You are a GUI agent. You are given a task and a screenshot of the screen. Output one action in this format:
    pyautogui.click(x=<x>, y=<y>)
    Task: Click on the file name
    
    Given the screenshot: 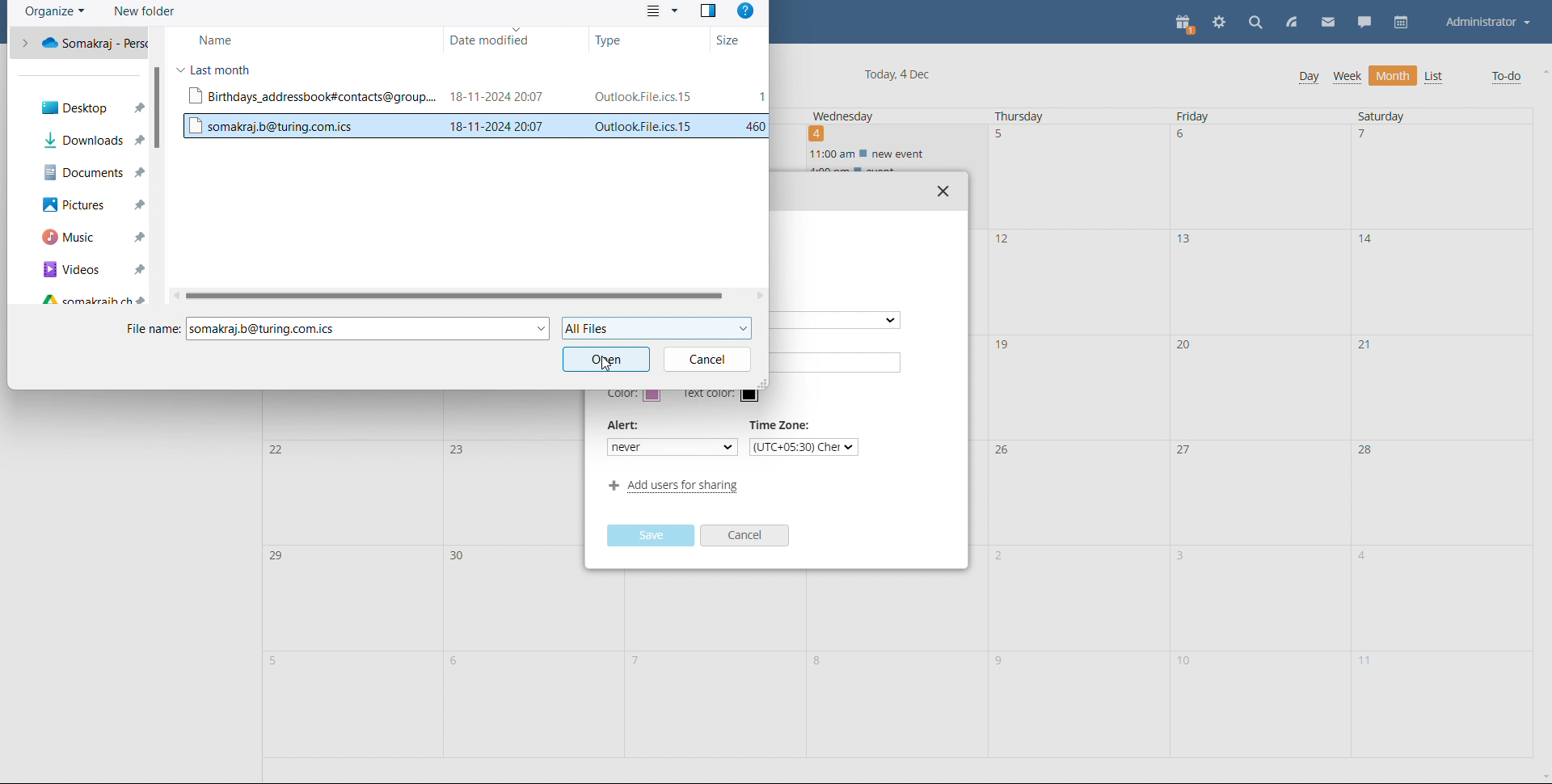 What is the action you would take?
    pyautogui.click(x=150, y=330)
    